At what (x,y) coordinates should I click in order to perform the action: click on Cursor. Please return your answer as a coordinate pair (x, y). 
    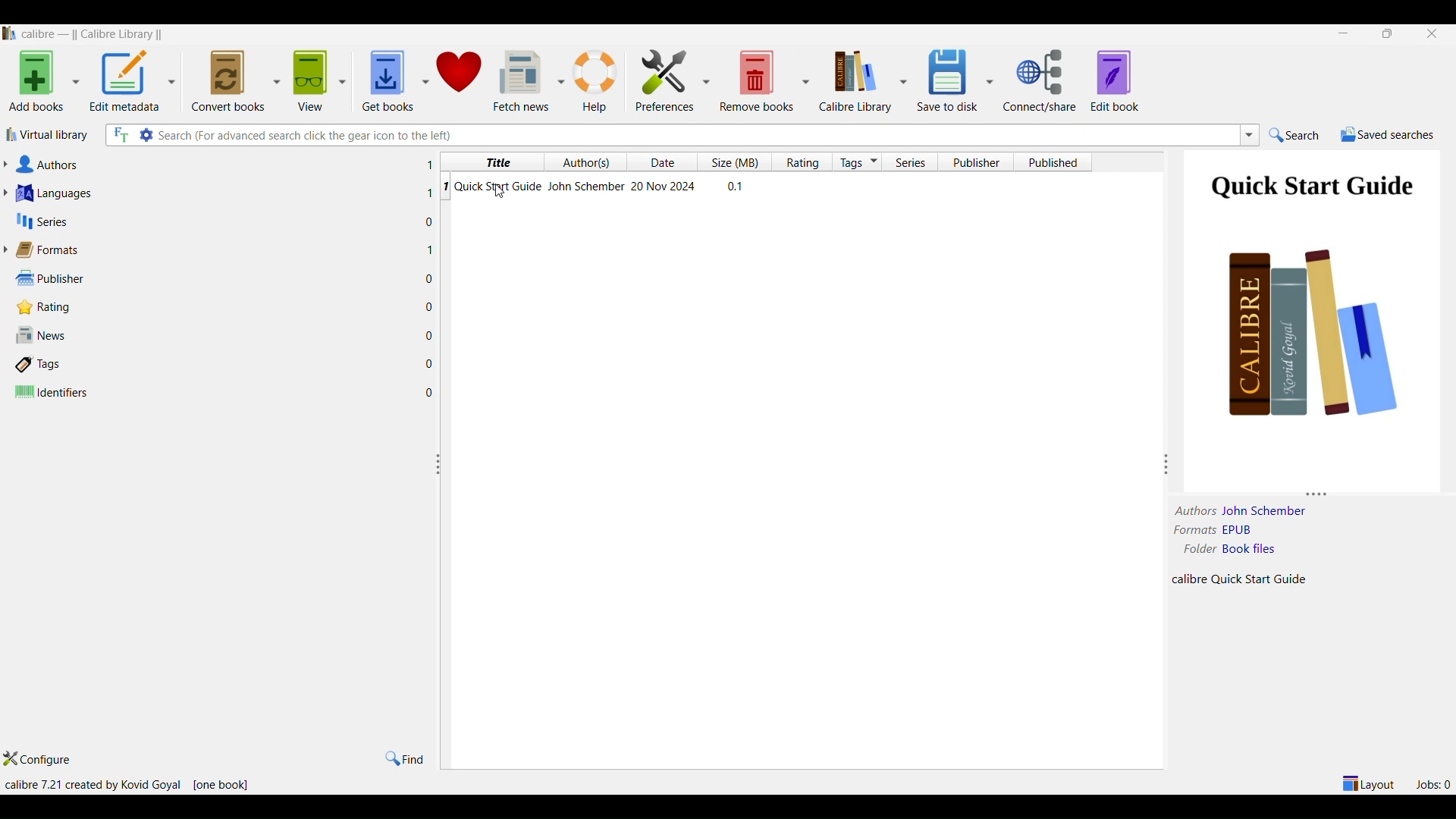
    Looking at the image, I should click on (500, 193).